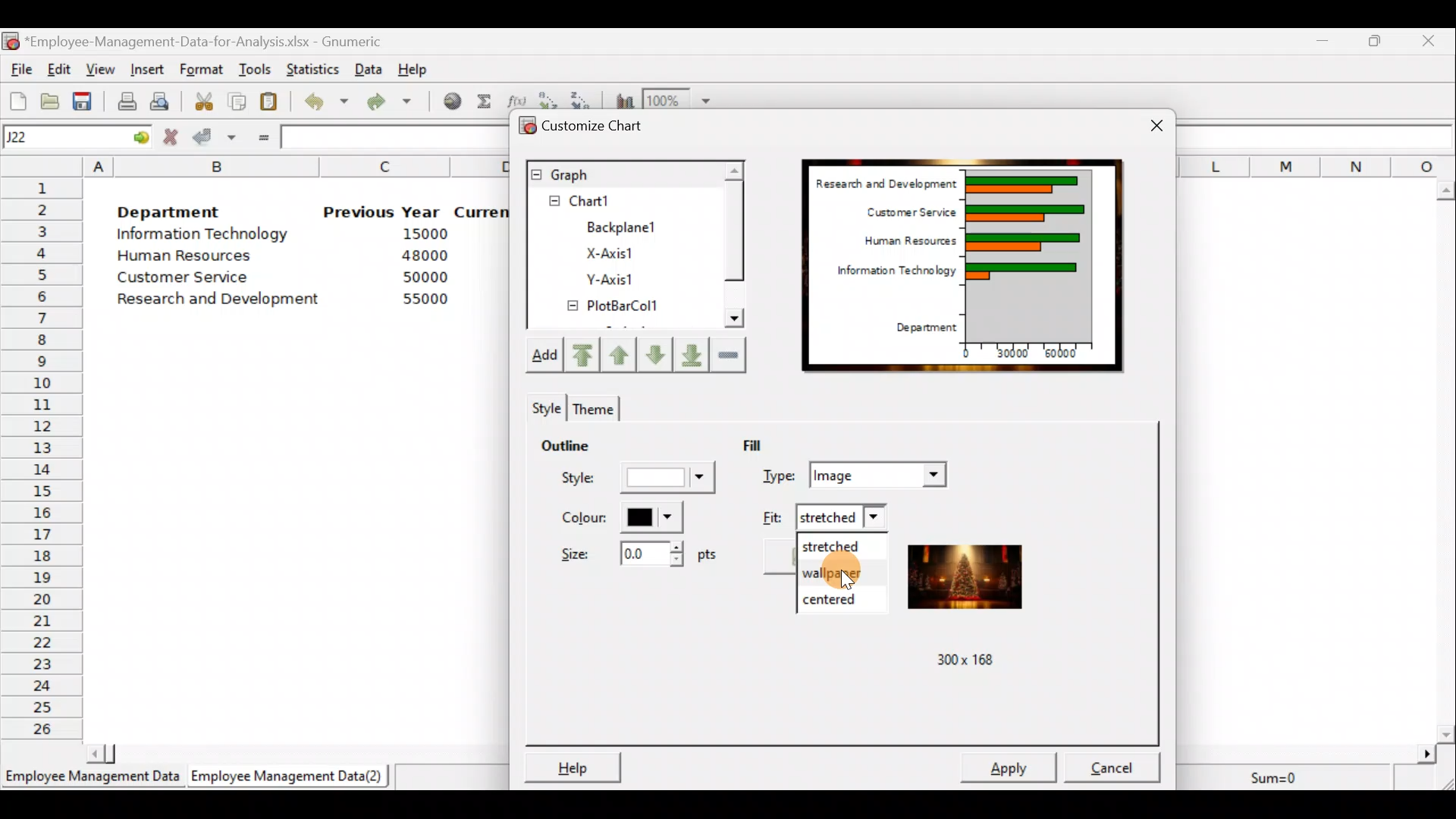  I want to click on Style, so click(544, 406).